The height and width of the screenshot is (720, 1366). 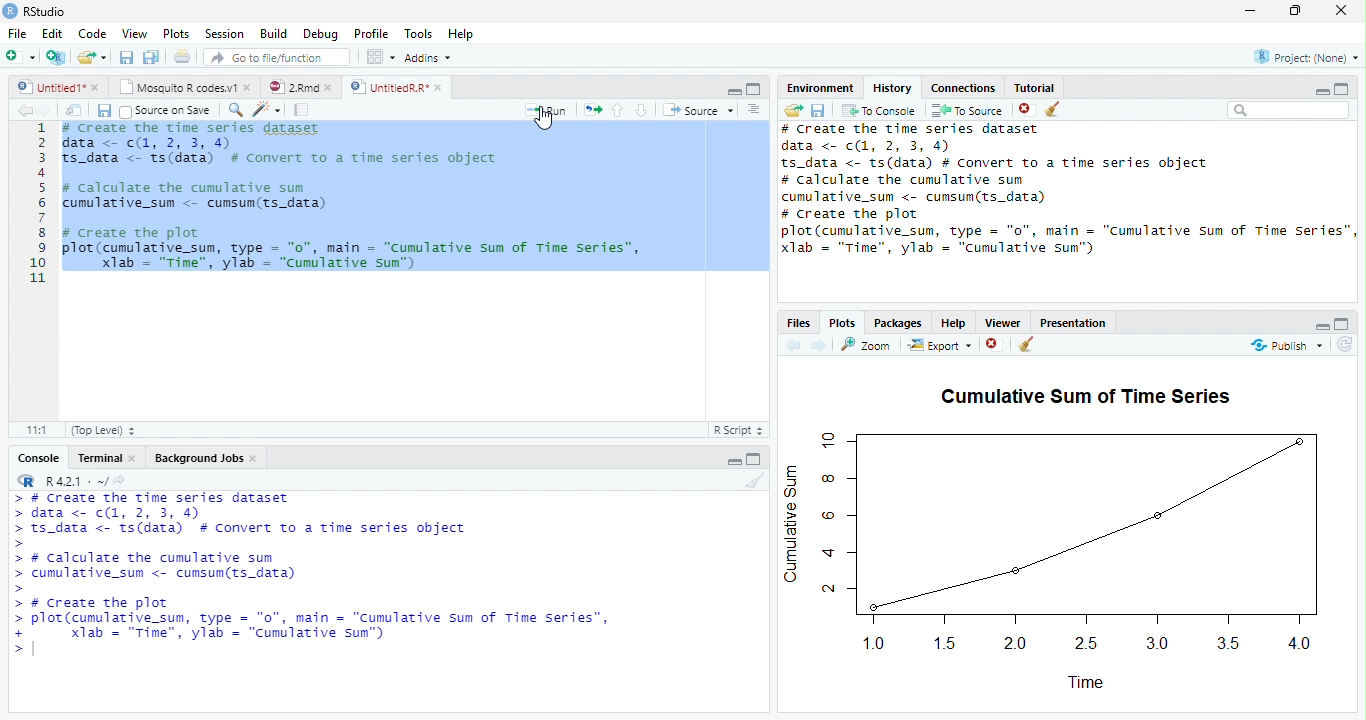 What do you see at coordinates (791, 346) in the screenshot?
I see `Back` at bounding box center [791, 346].